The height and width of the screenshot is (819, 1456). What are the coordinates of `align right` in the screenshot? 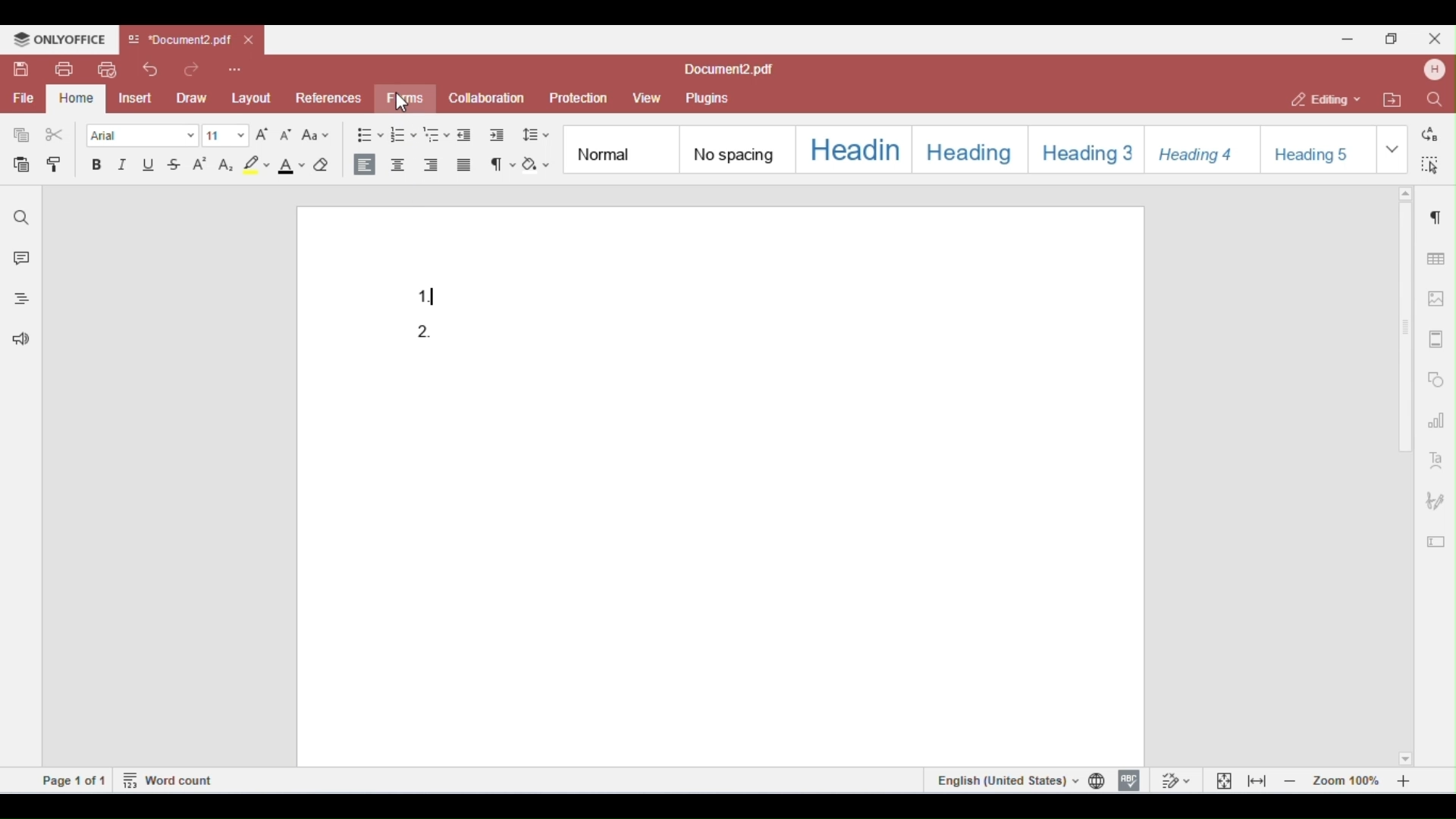 It's located at (431, 165).